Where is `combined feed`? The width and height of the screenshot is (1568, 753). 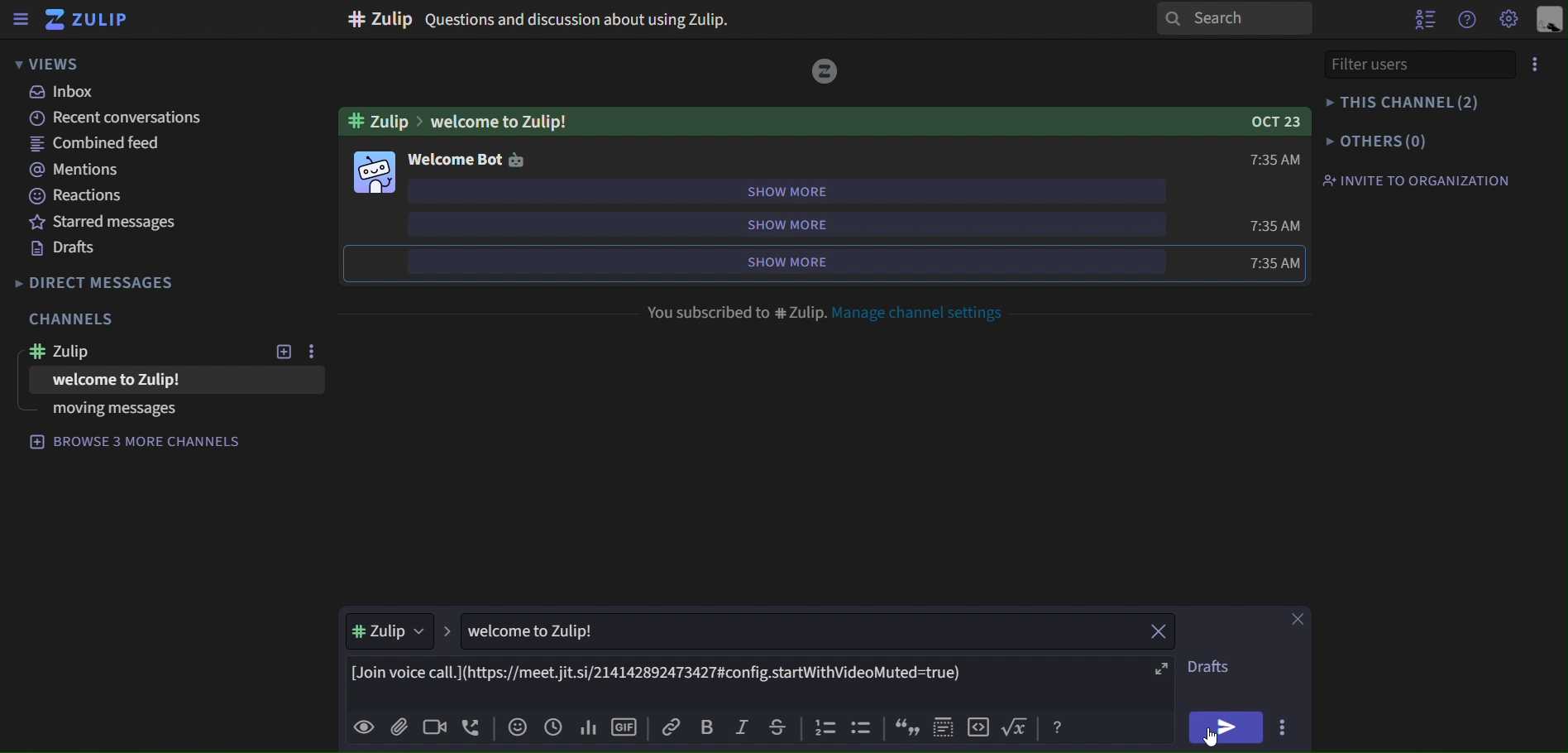 combined feed is located at coordinates (98, 146).